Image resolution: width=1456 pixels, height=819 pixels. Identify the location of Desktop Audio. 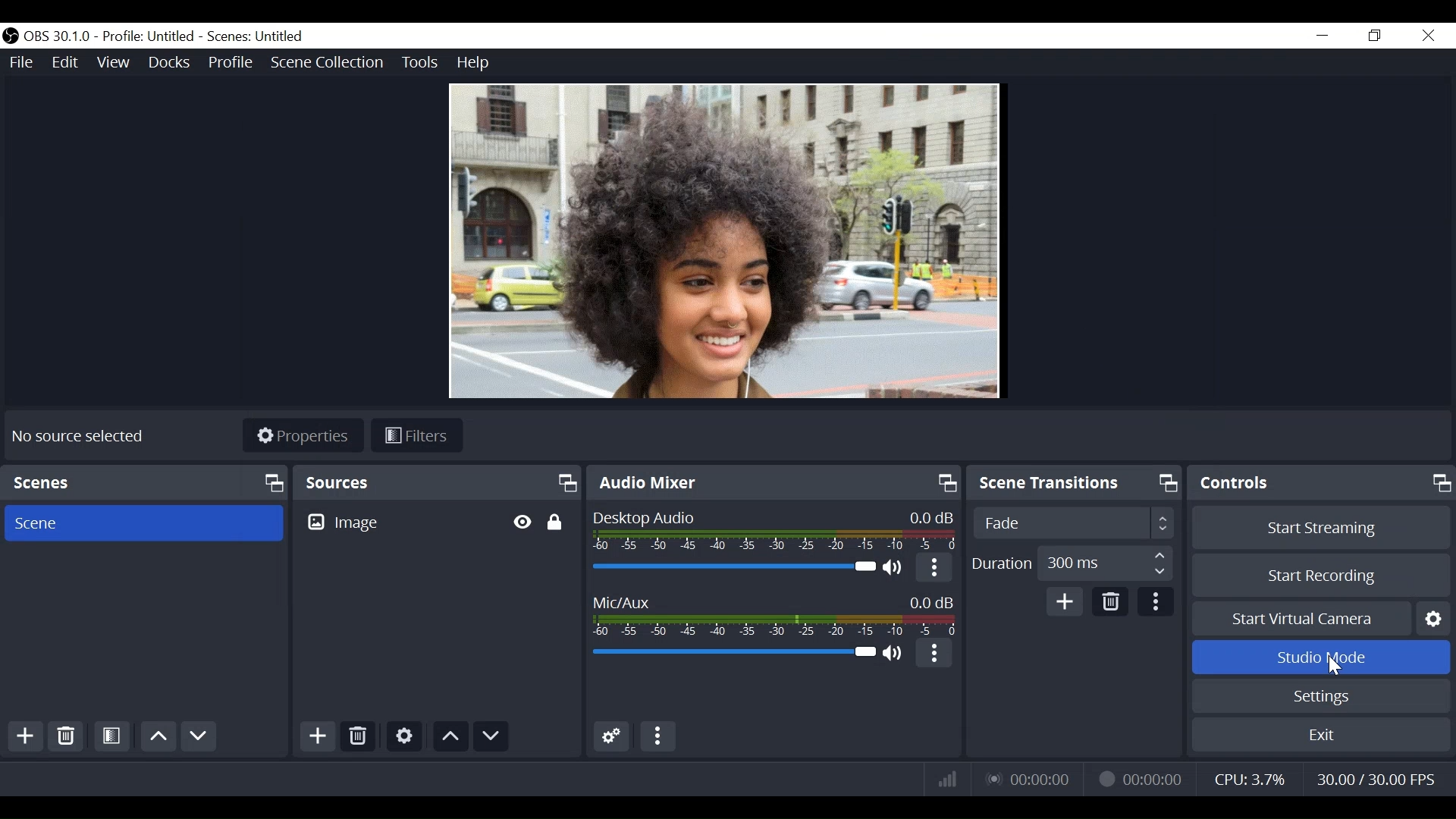
(773, 530).